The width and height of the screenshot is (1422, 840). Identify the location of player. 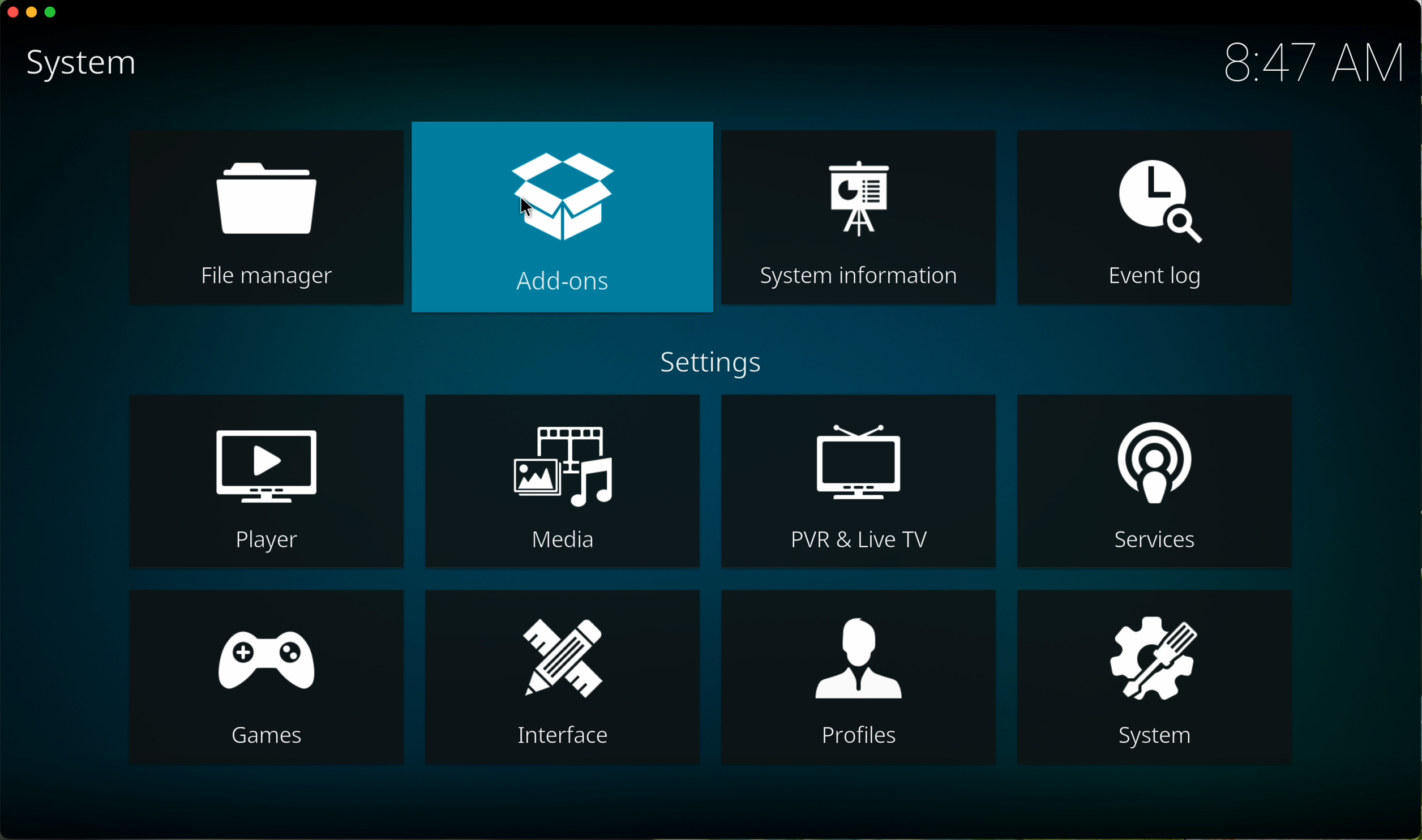
(271, 481).